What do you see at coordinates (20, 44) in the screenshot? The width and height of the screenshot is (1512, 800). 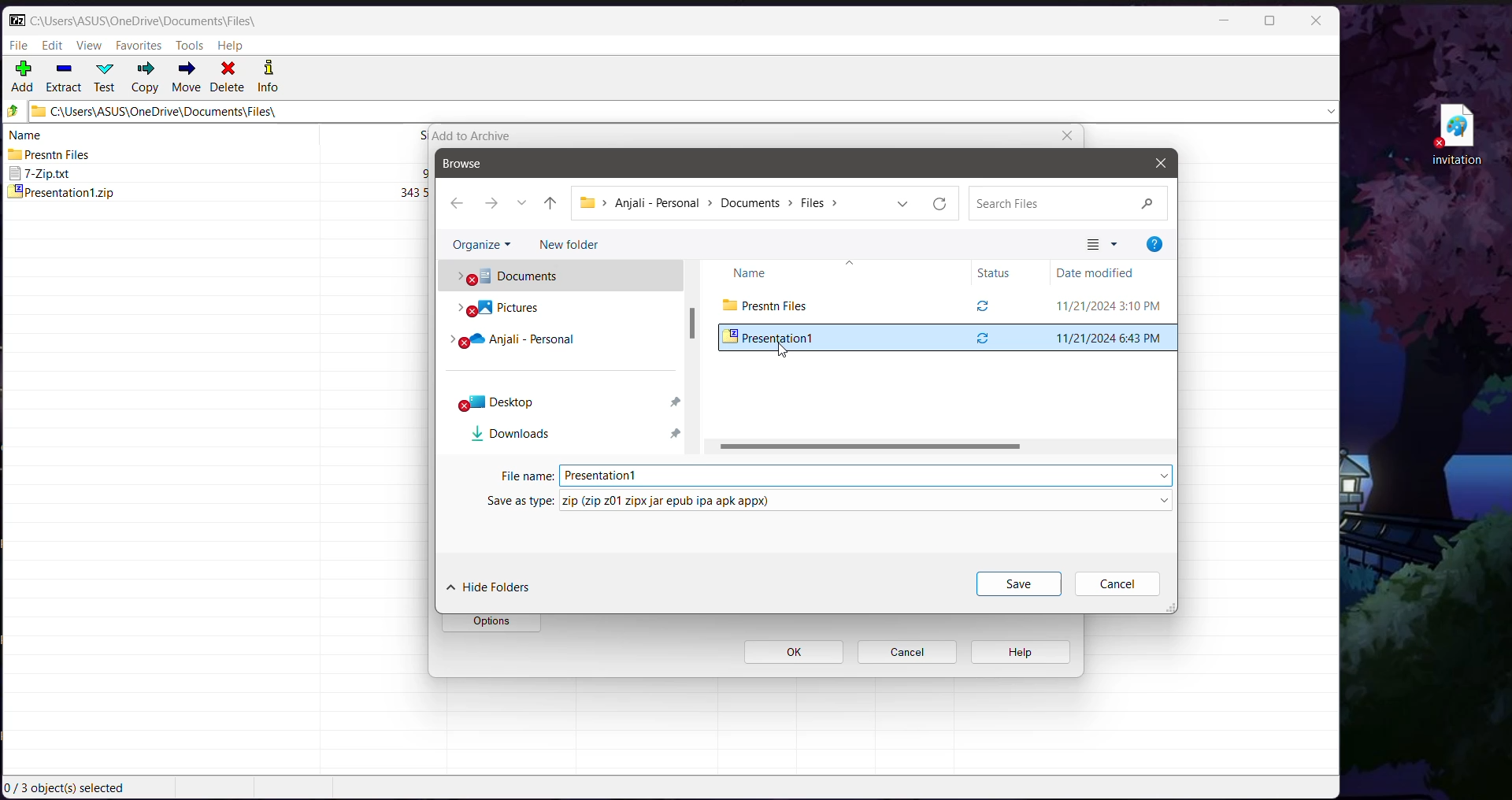 I see `File` at bounding box center [20, 44].